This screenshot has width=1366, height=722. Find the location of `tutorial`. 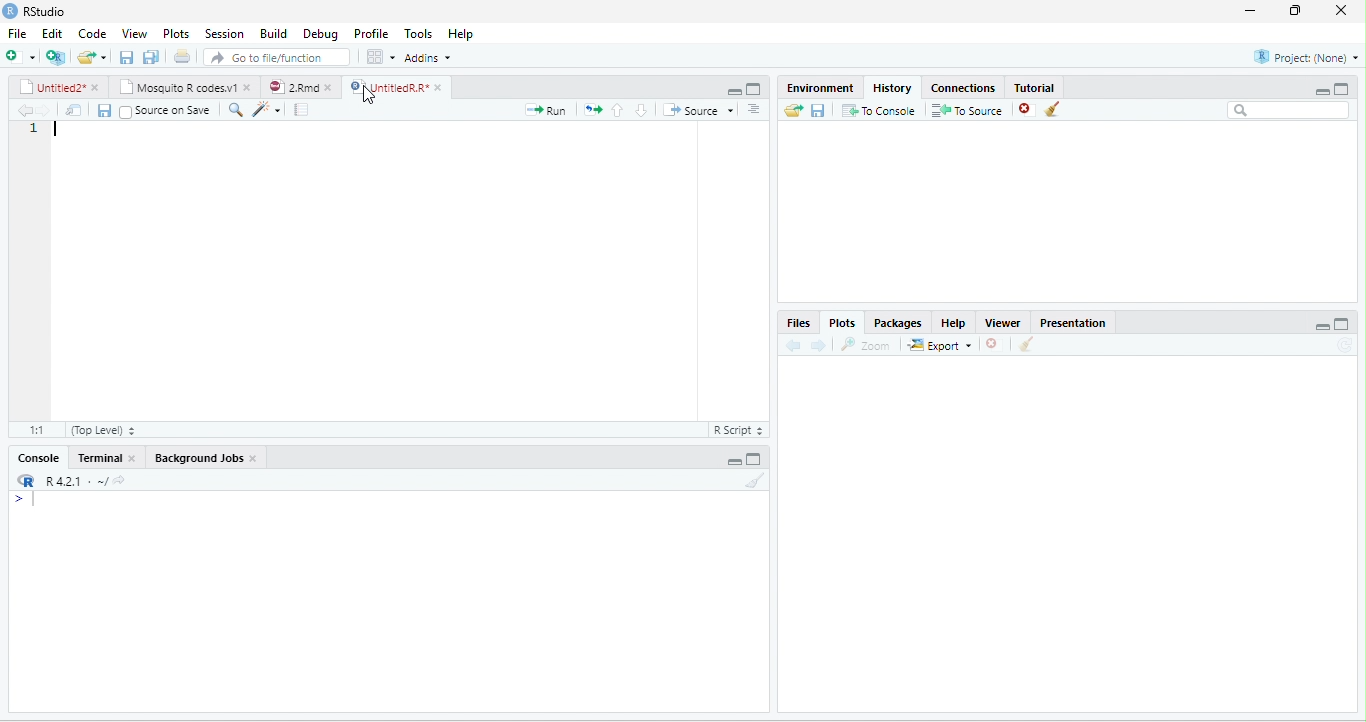

tutorial is located at coordinates (1062, 86).